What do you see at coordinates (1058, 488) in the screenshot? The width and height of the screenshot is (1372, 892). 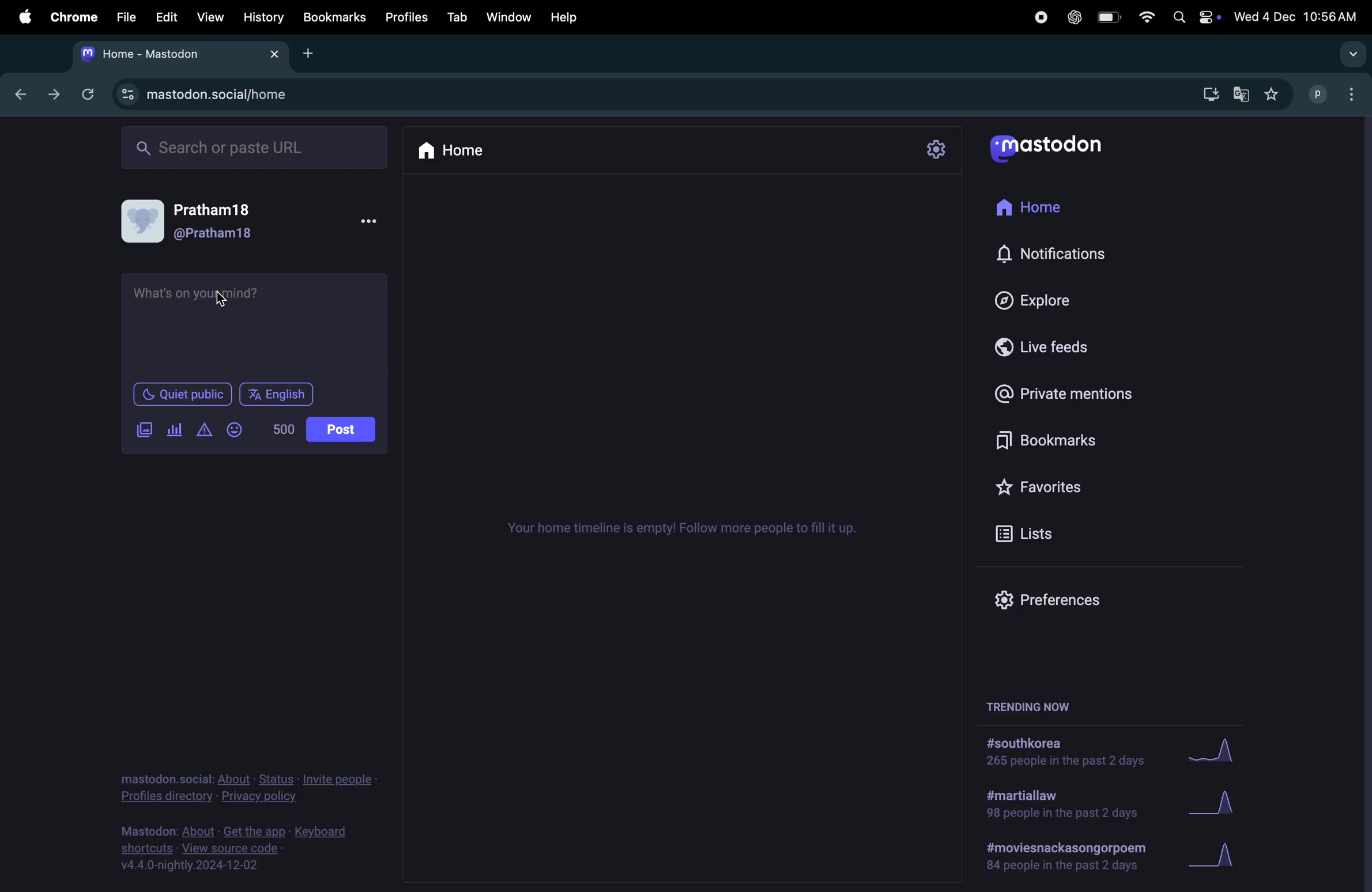 I see `favourites` at bounding box center [1058, 488].